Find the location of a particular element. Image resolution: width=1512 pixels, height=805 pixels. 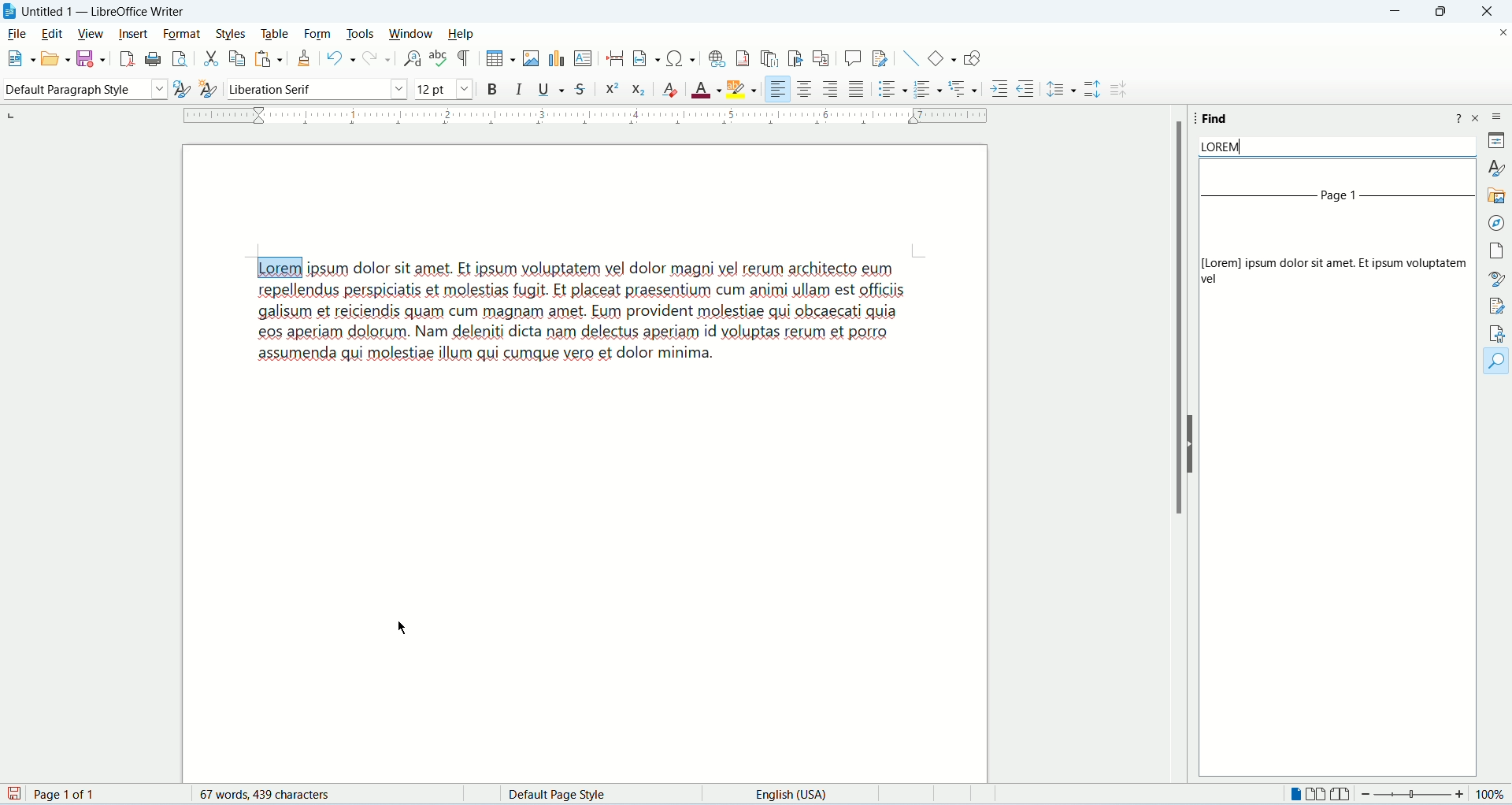

m dolor sit amet. Et ipsum voluptatem vel dolor magni vel rerum architecto eum is located at coordinates (629, 268).